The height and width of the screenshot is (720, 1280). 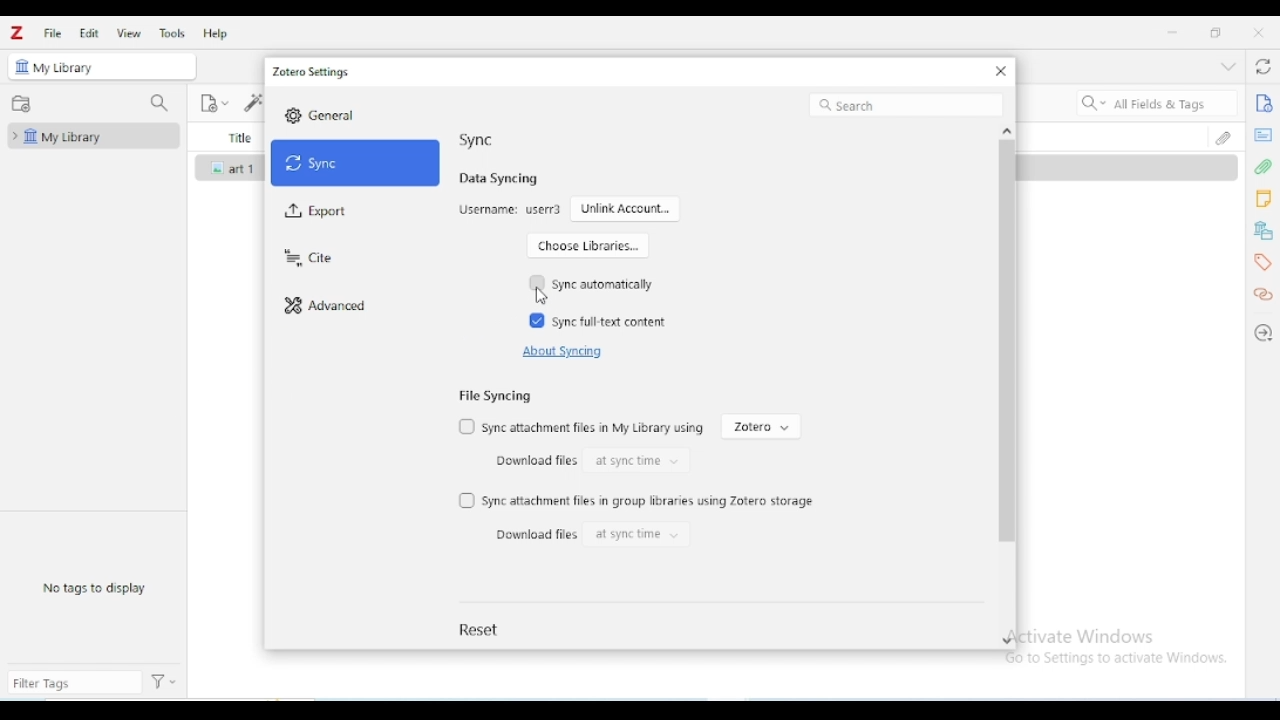 I want to click on no tags to display, so click(x=94, y=587).